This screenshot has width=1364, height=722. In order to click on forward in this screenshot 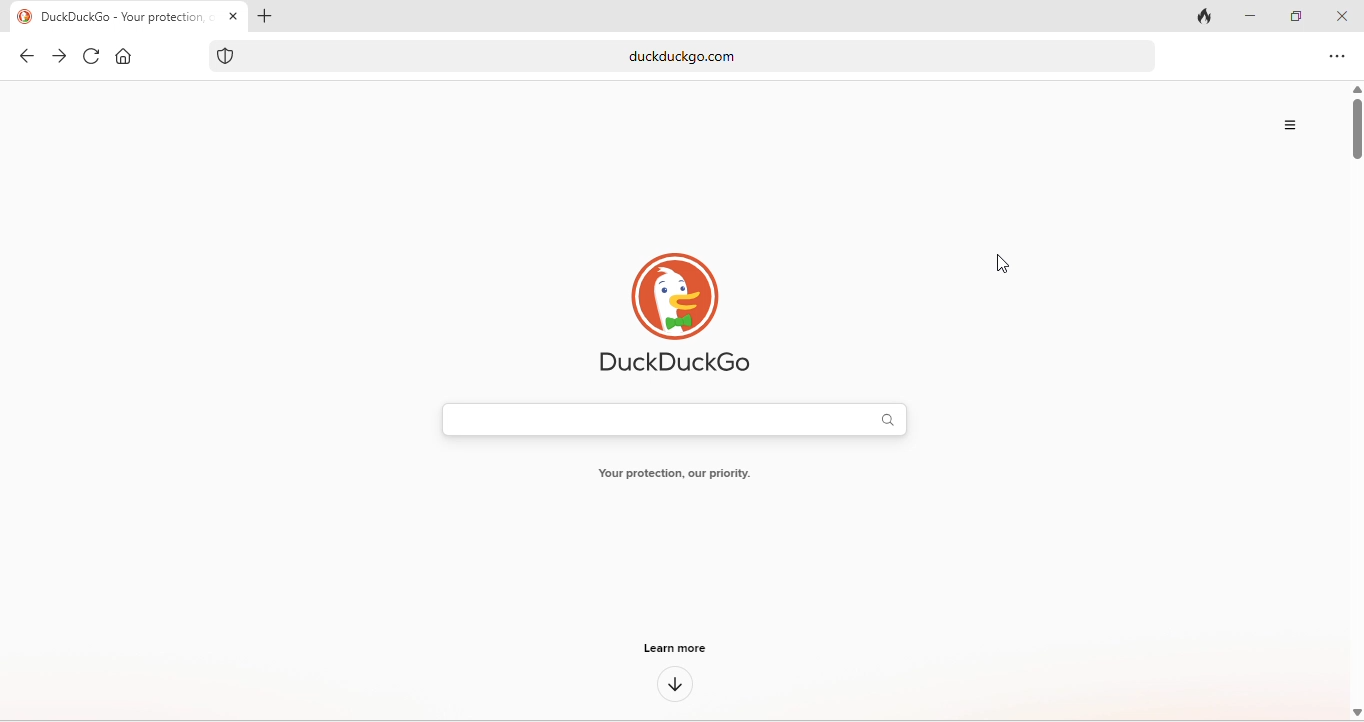, I will do `click(58, 56)`.